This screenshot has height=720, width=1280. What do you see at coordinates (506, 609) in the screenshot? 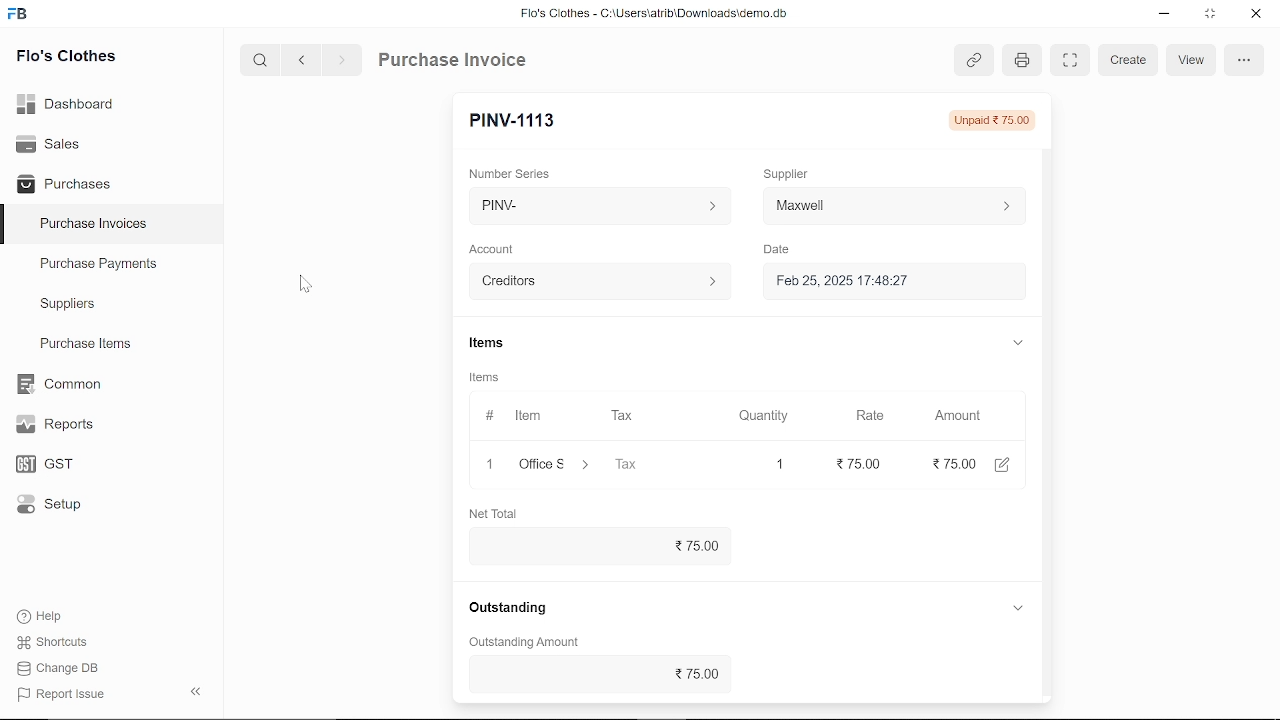
I see `Outstanding` at bounding box center [506, 609].